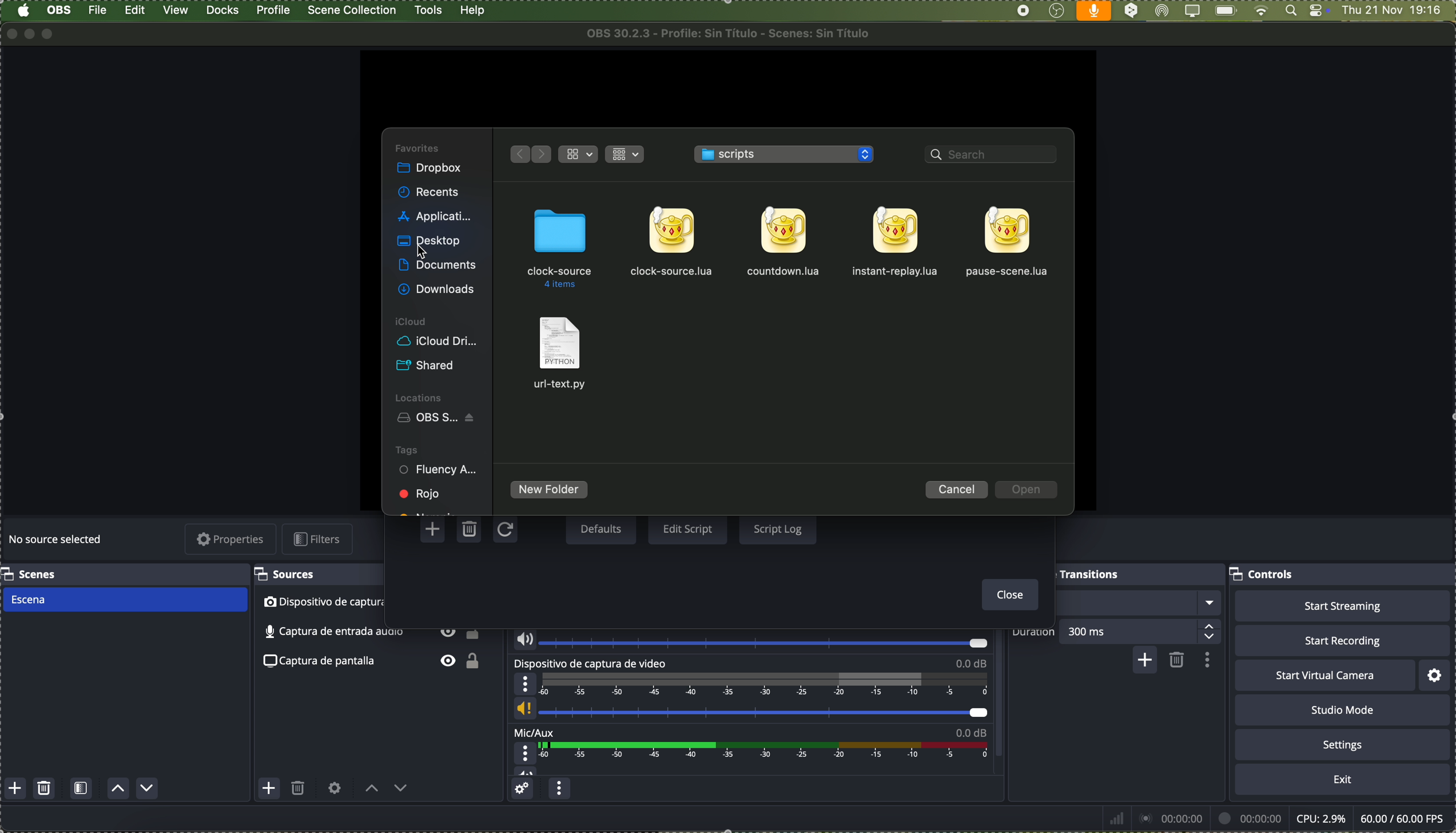 The image size is (1456, 833). I want to click on sources, so click(289, 574).